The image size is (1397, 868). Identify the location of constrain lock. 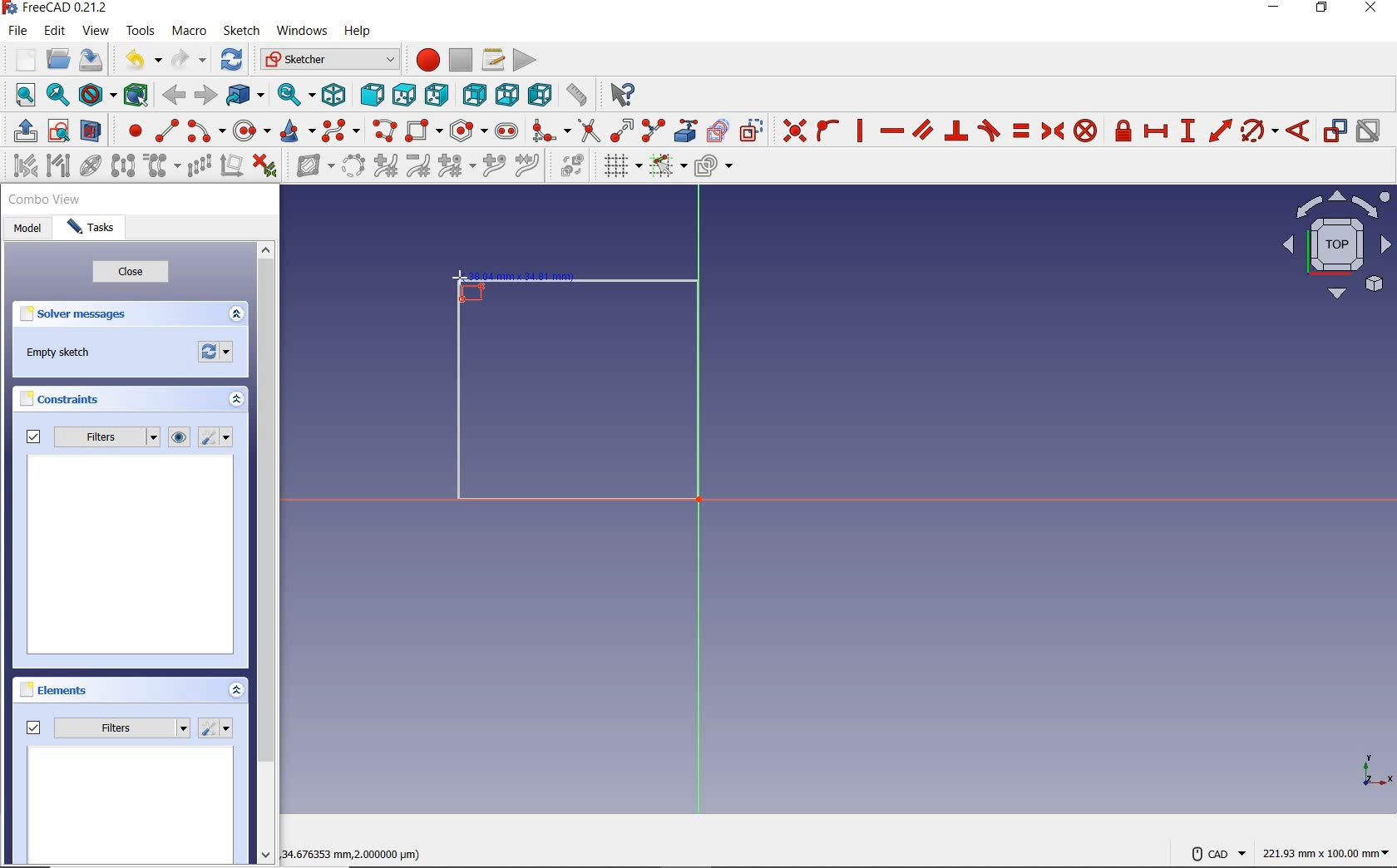
(1123, 131).